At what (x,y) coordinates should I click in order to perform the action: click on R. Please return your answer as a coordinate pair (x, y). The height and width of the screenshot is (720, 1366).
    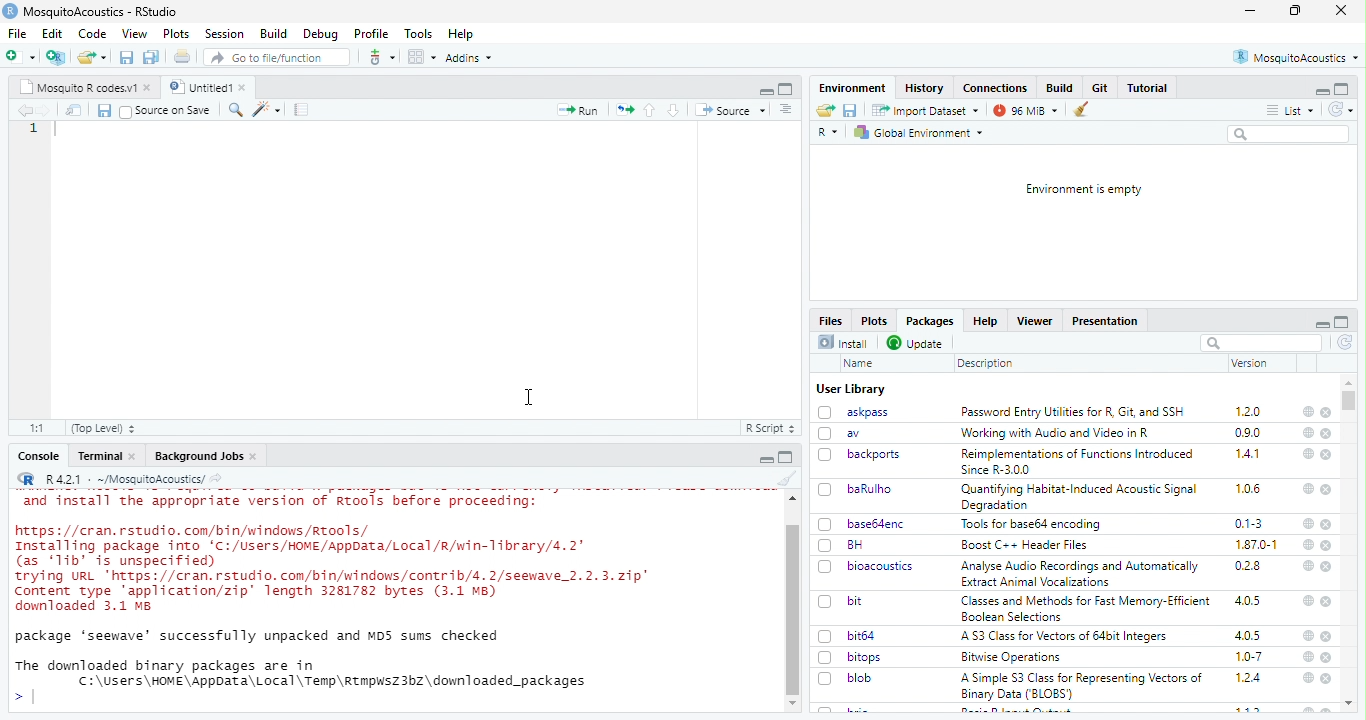
    Looking at the image, I should click on (828, 133).